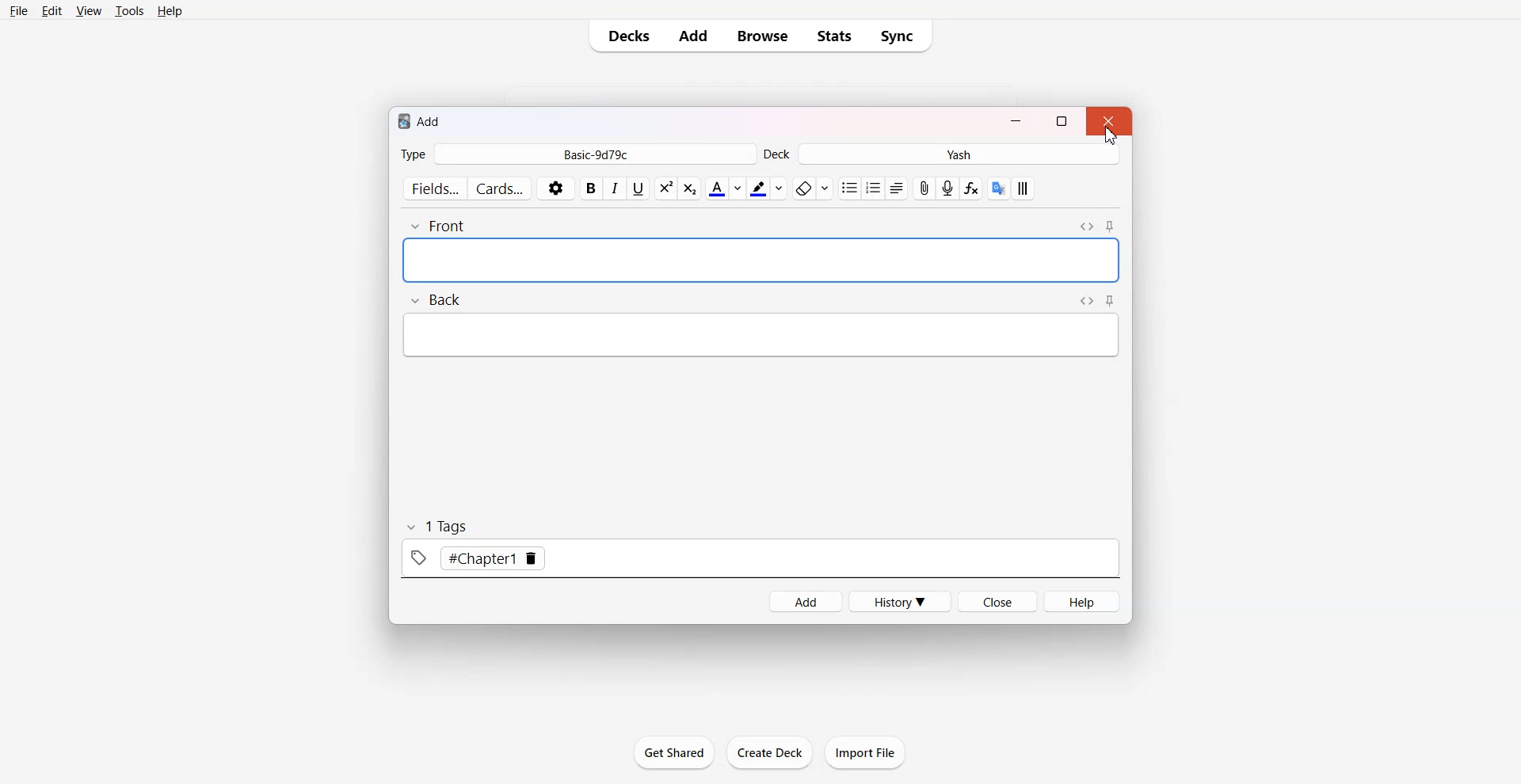  Describe the element at coordinates (437, 226) in the screenshot. I see `Front` at that location.